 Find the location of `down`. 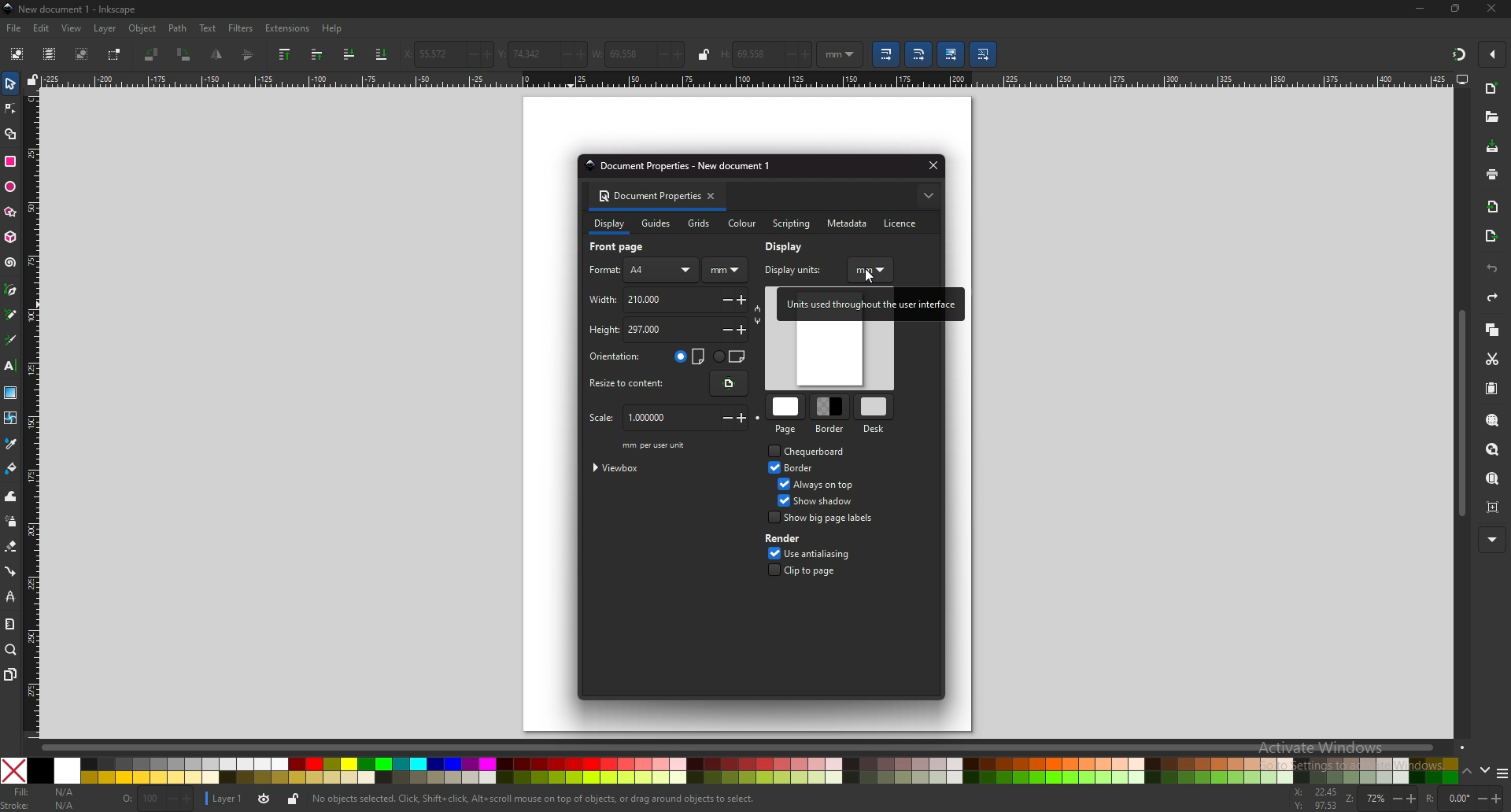

down is located at coordinates (1484, 771).